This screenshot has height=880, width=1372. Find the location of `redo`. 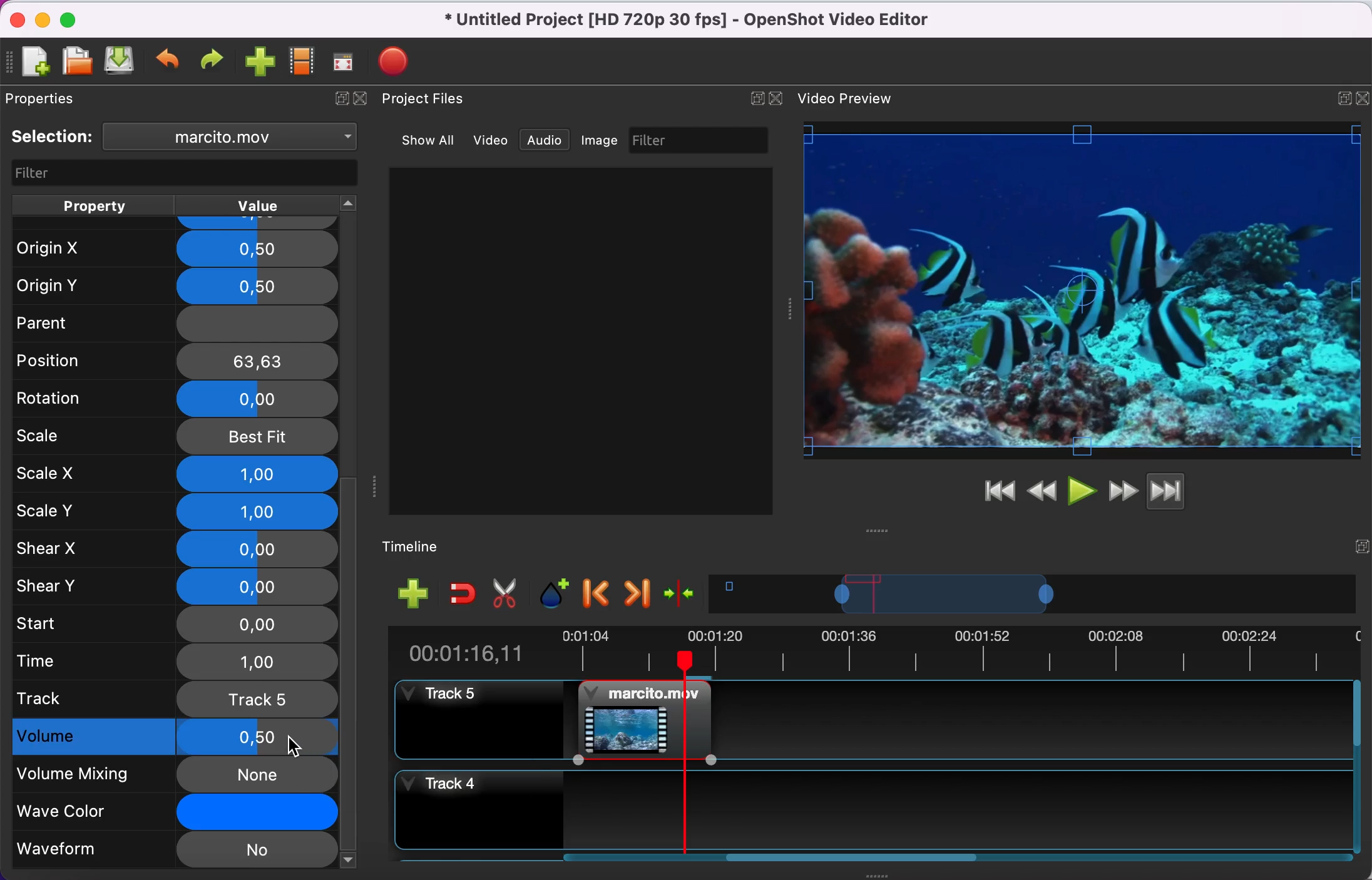

redo is located at coordinates (215, 61).